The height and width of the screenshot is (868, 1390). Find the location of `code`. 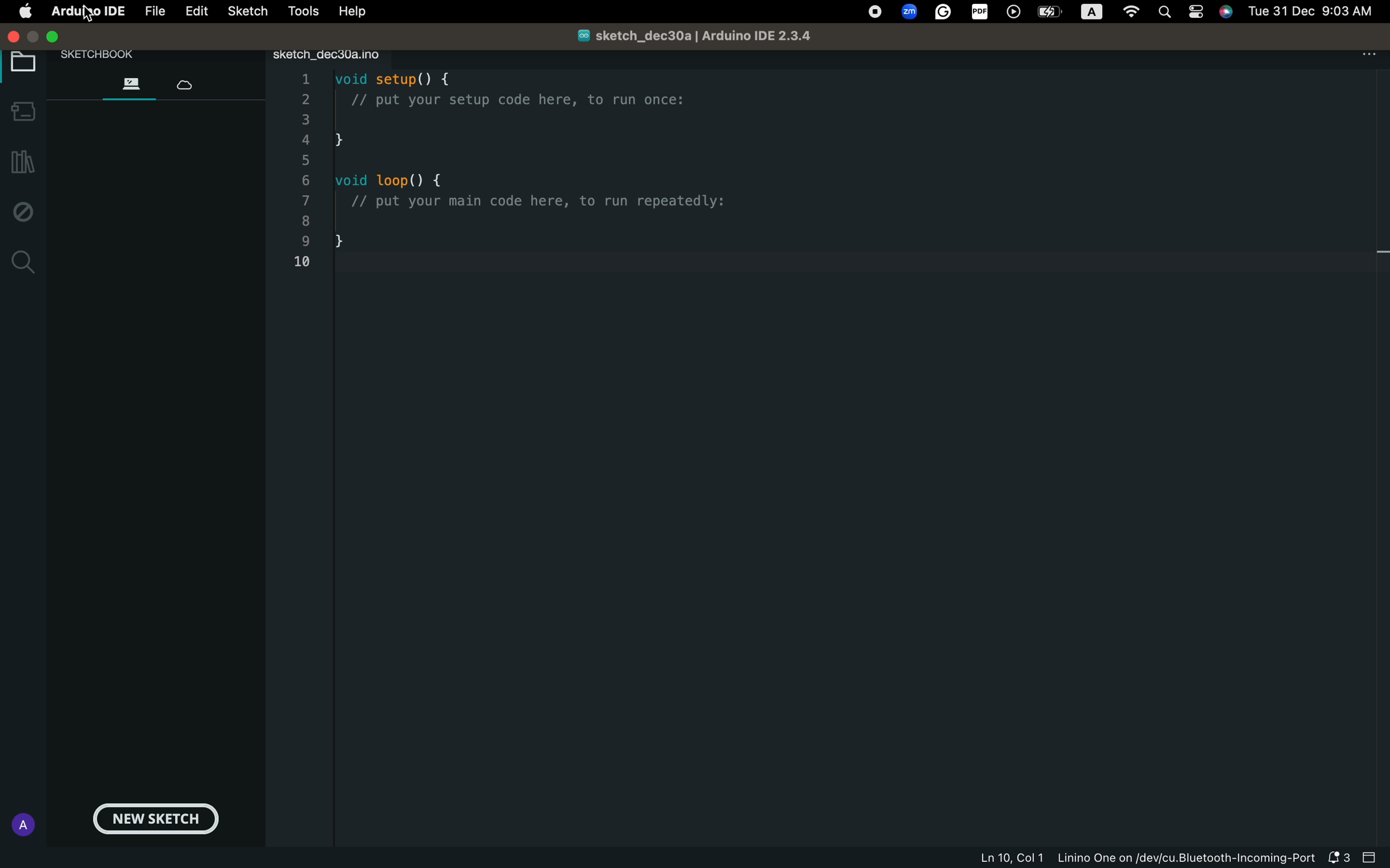

code is located at coordinates (537, 180).